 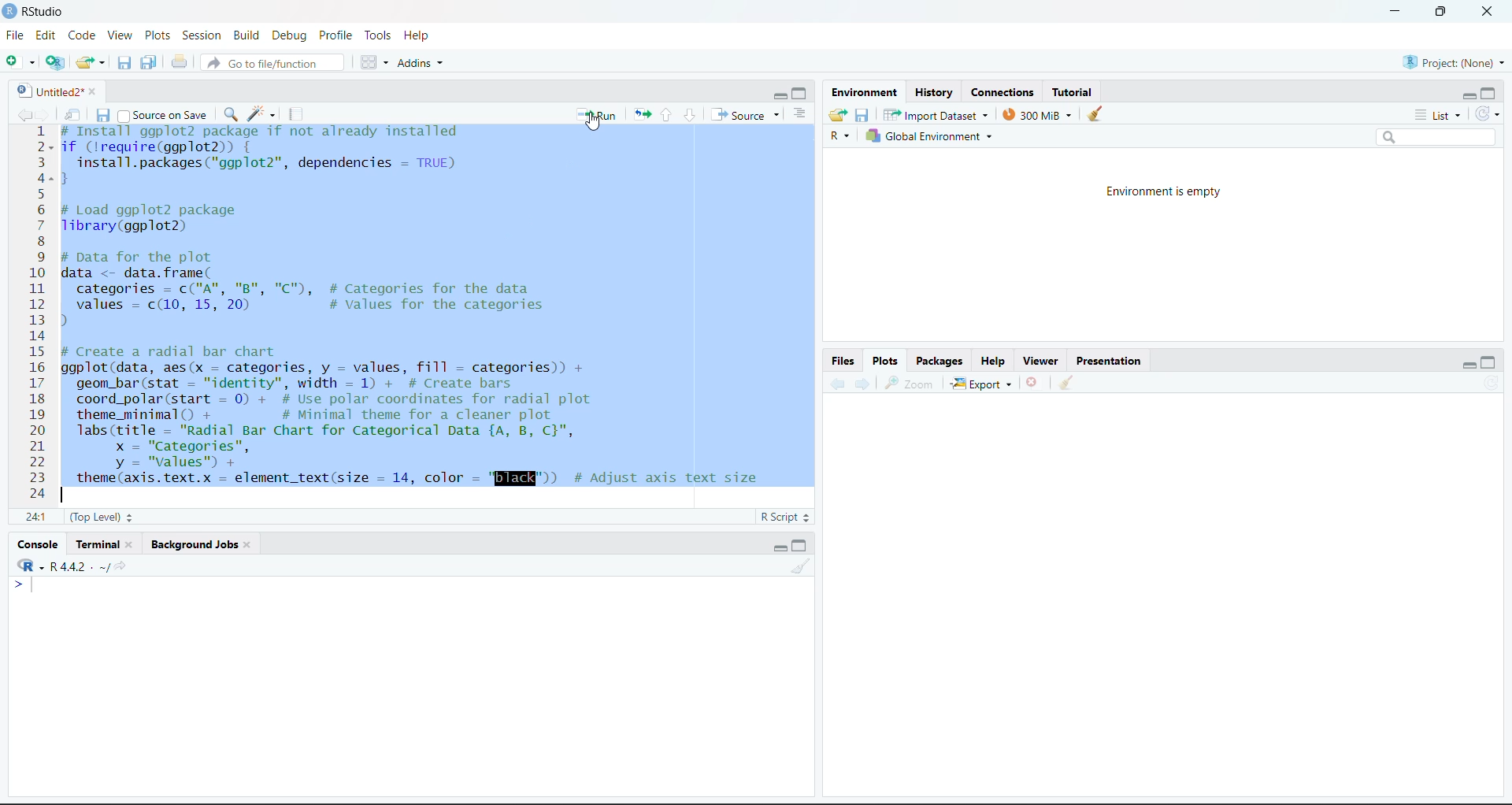 What do you see at coordinates (336, 37) in the screenshot?
I see `Profile` at bounding box center [336, 37].